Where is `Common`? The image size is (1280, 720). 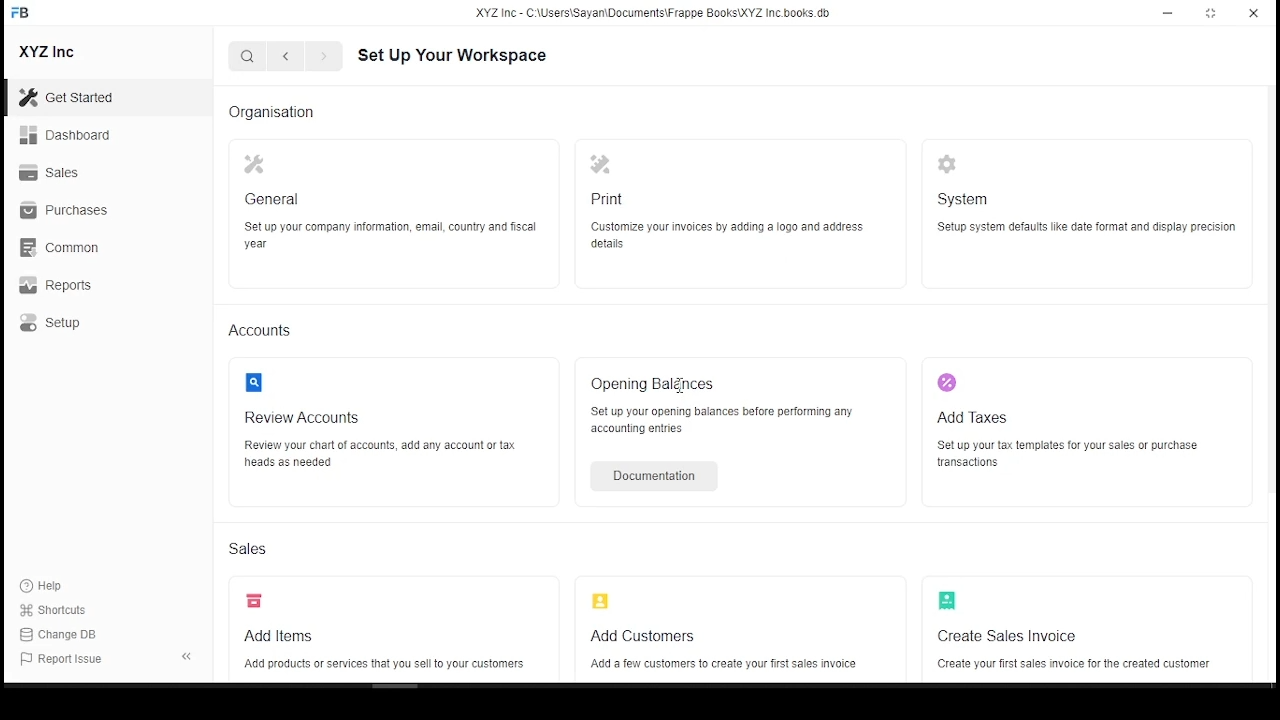
Common is located at coordinates (61, 247).